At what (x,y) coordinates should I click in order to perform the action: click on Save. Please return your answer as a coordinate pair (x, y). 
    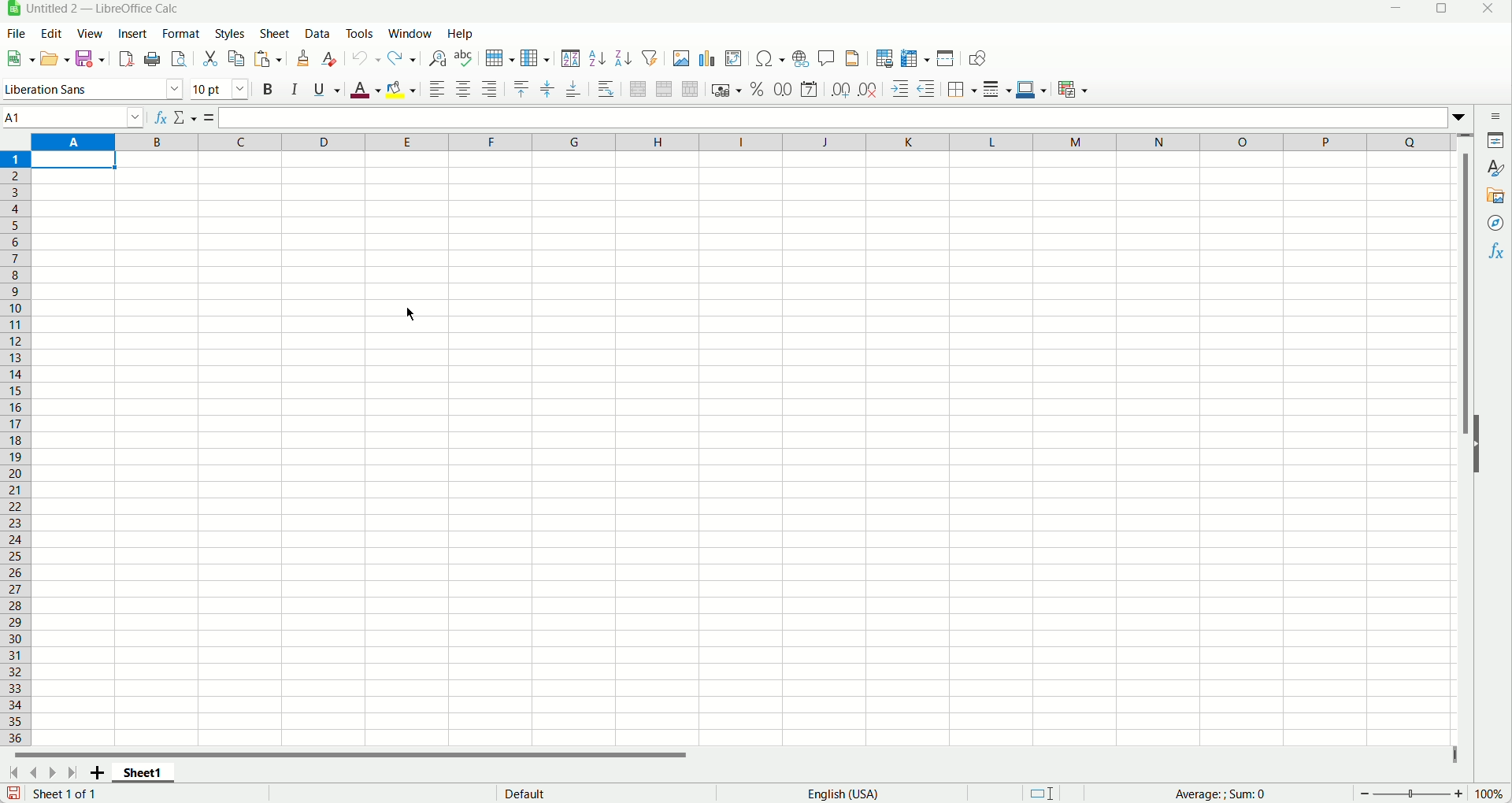
    Looking at the image, I should click on (13, 794).